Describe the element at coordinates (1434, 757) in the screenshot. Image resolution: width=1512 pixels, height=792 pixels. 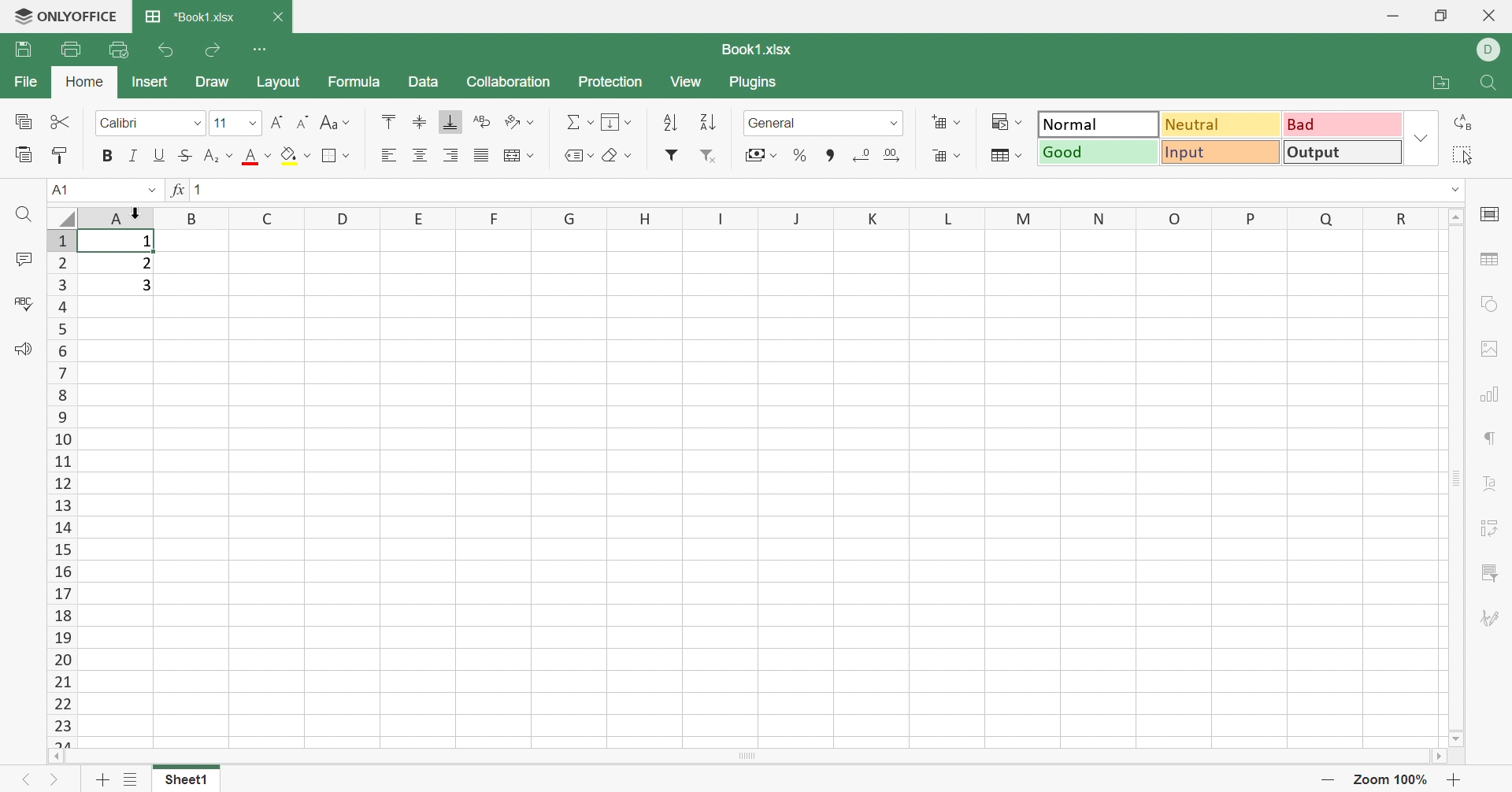
I see `Scroll right` at that location.